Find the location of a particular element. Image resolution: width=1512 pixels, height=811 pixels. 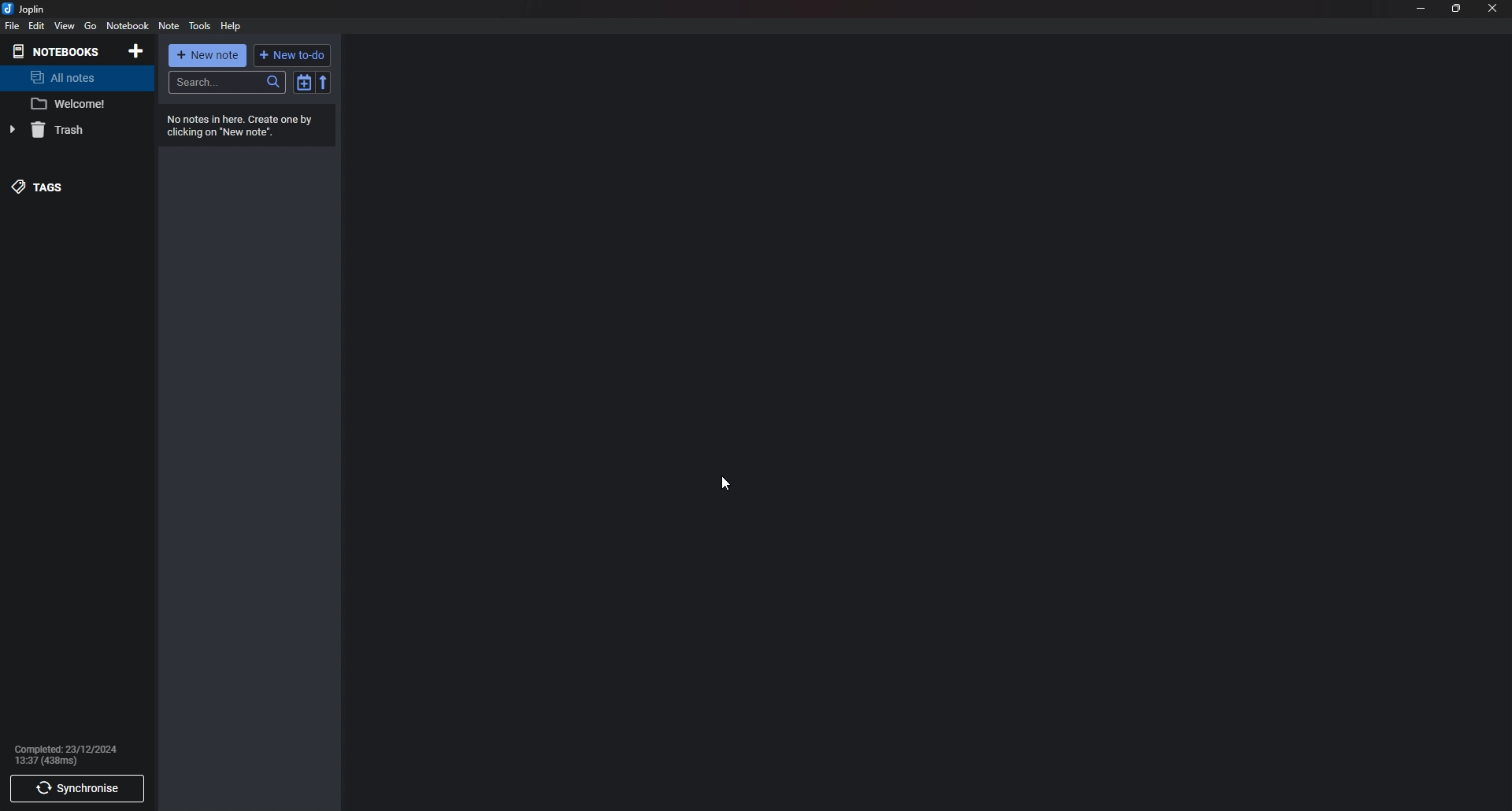

New To do is located at coordinates (293, 55).